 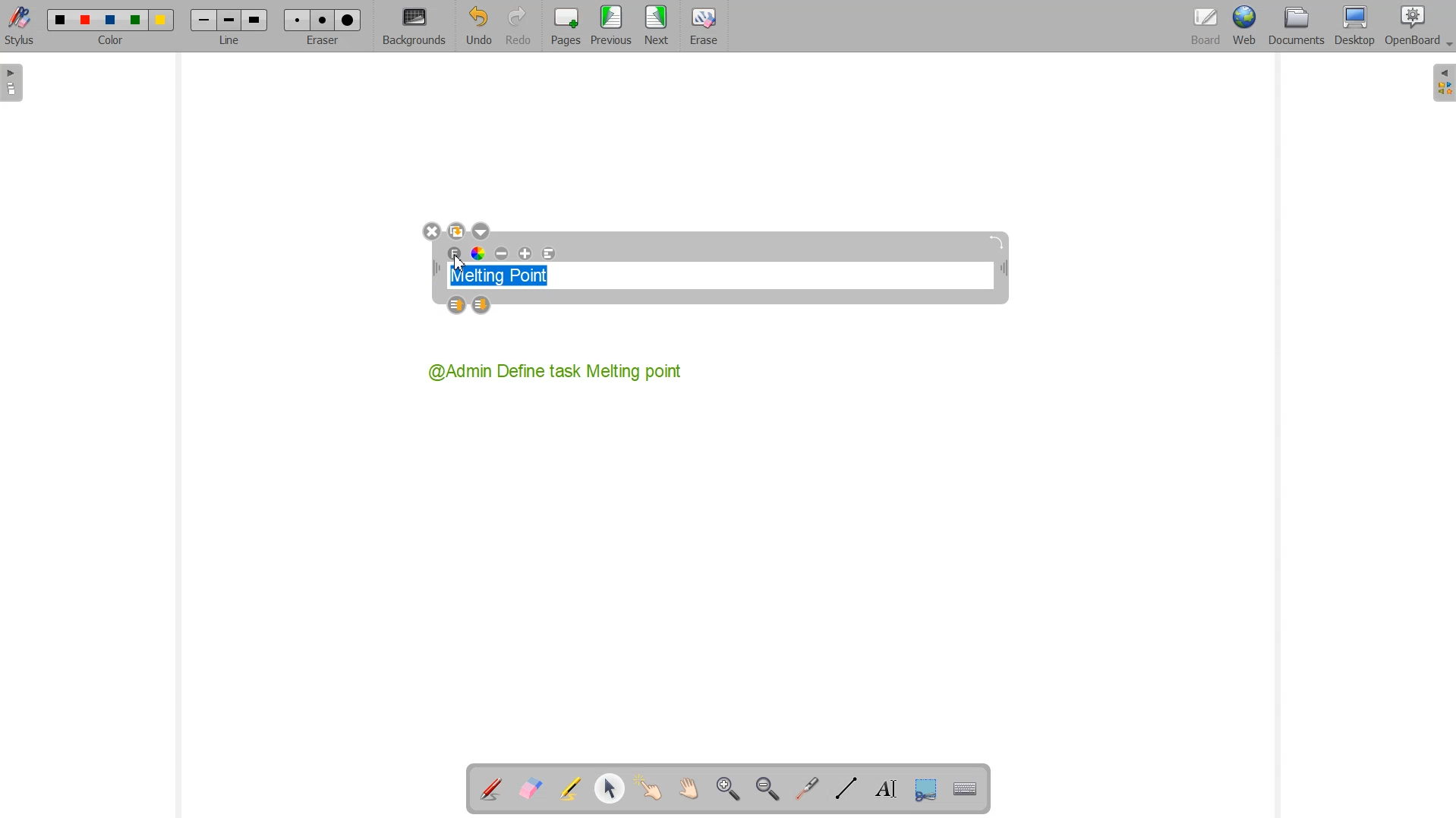 What do you see at coordinates (113, 27) in the screenshot?
I see `Color` at bounding box center [113, 27].